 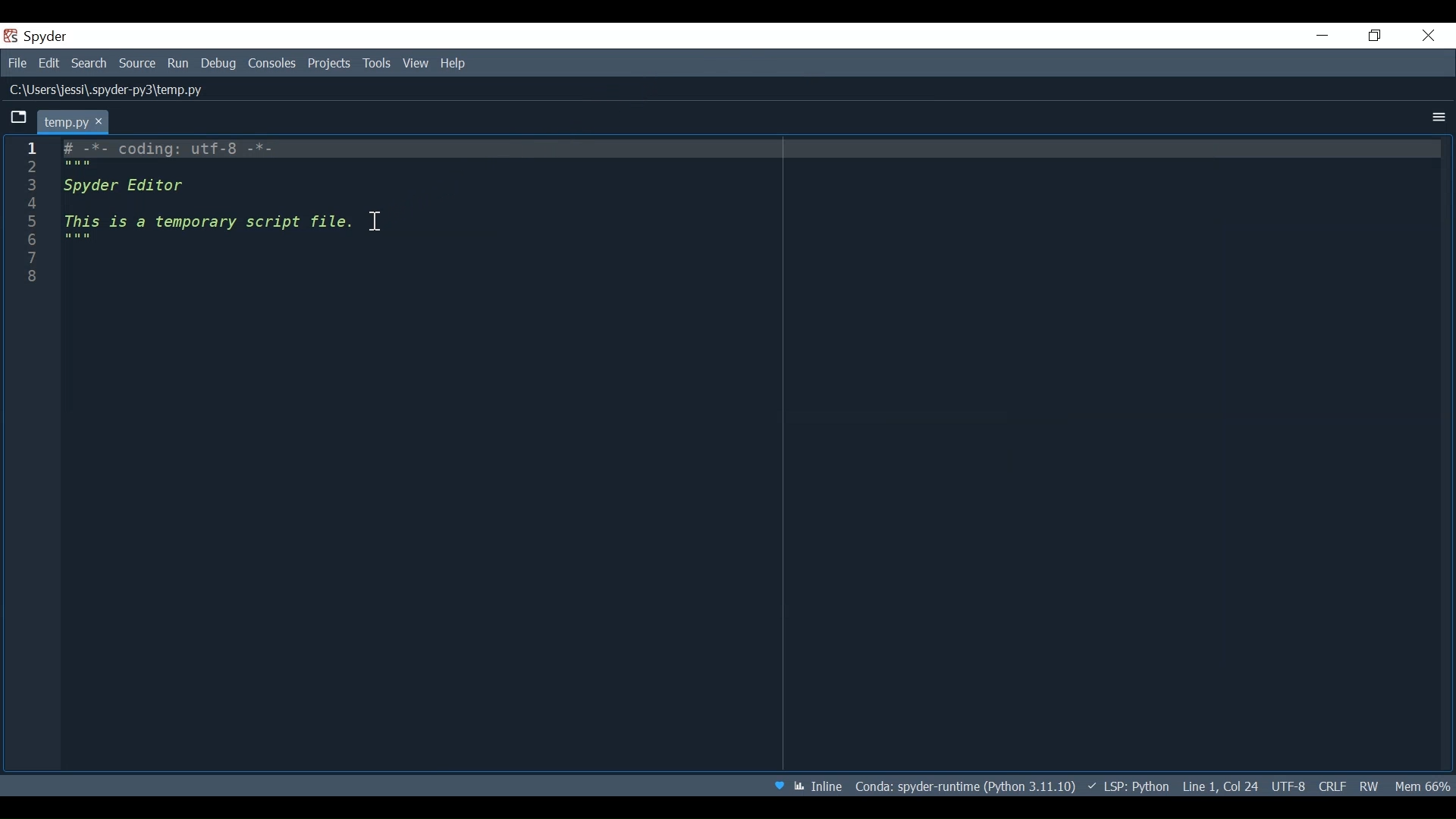 What do you see at coordinates (1426, 36) in the screenshot?
I see `Close` at bounding box center [1426, 36].